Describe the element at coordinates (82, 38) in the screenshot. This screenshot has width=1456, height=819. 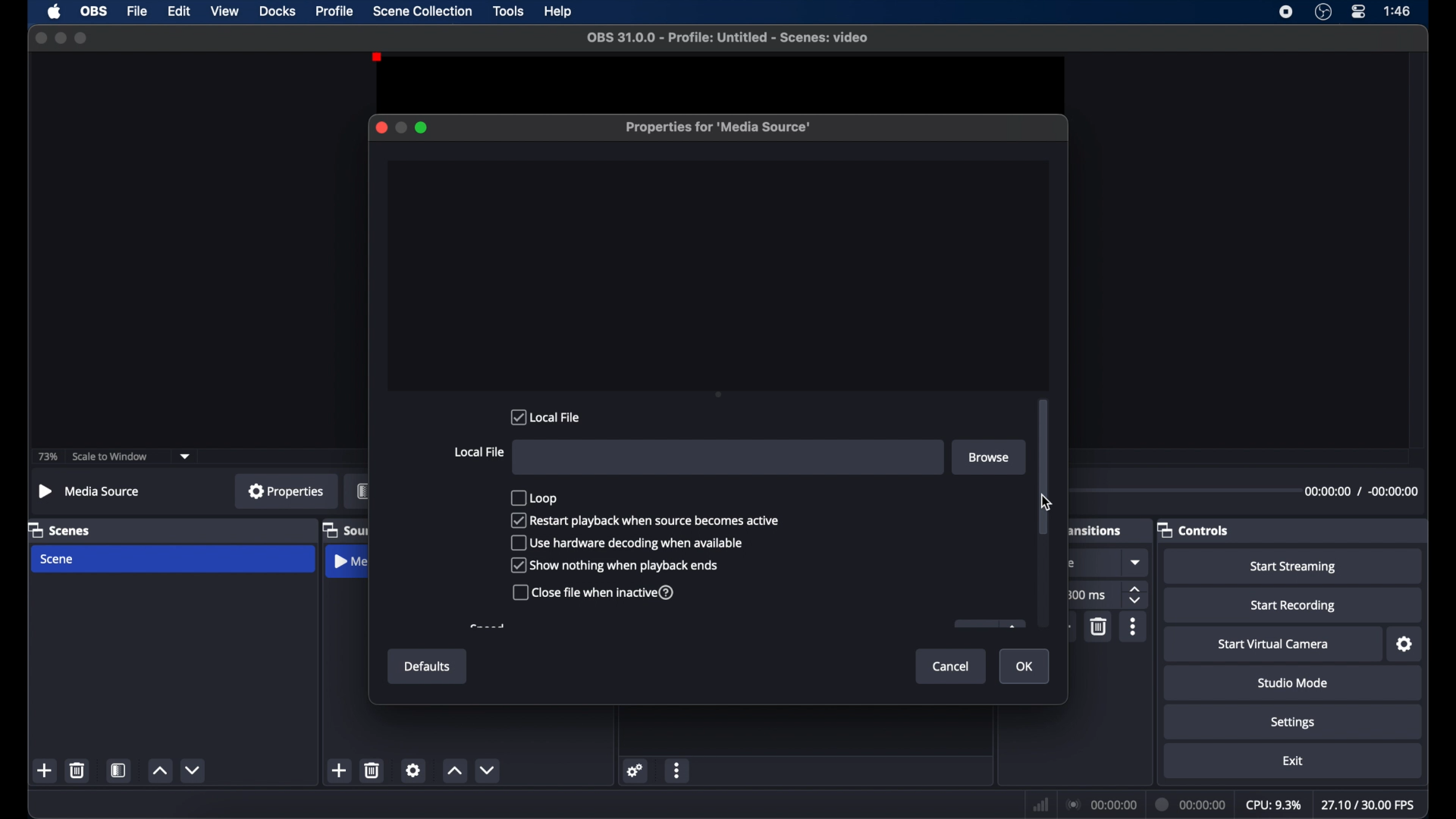
I see `maximize` at that location.